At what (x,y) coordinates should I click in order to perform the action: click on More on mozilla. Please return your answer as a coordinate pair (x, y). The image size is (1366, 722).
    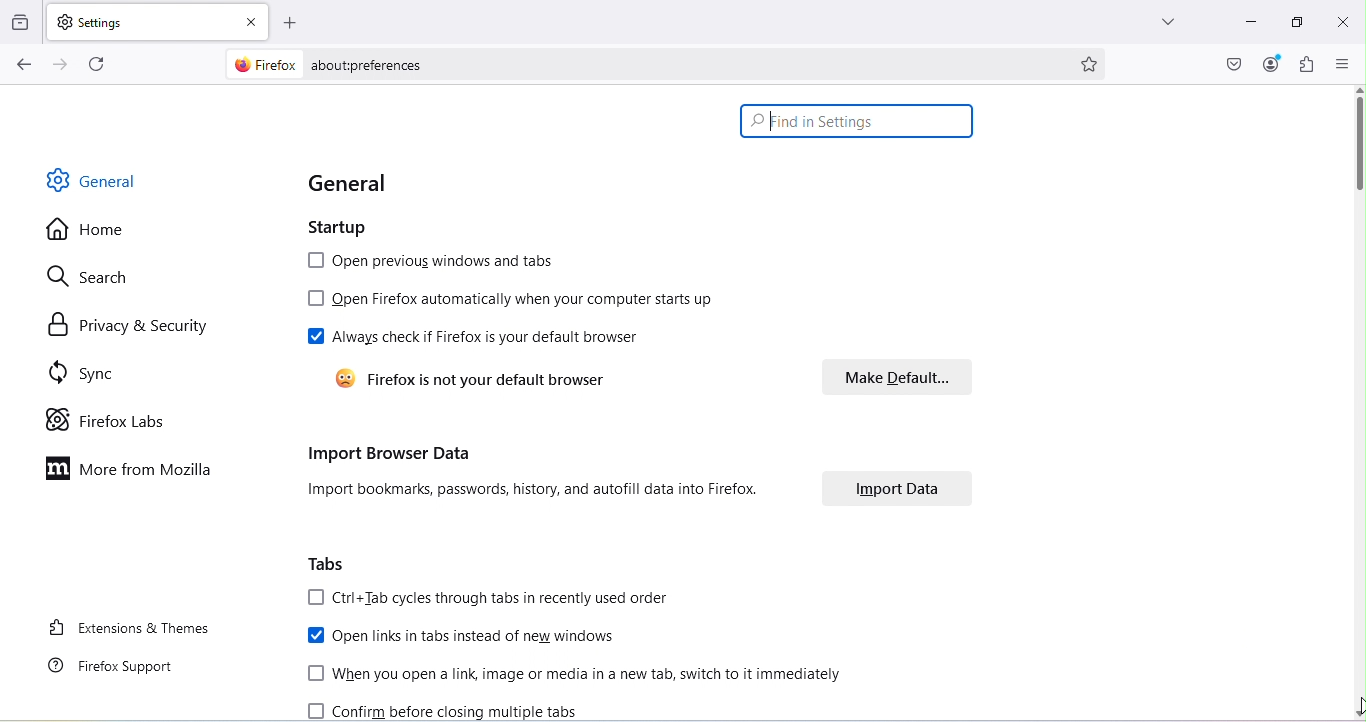
    Looking at the image, I should click on (121, 470).